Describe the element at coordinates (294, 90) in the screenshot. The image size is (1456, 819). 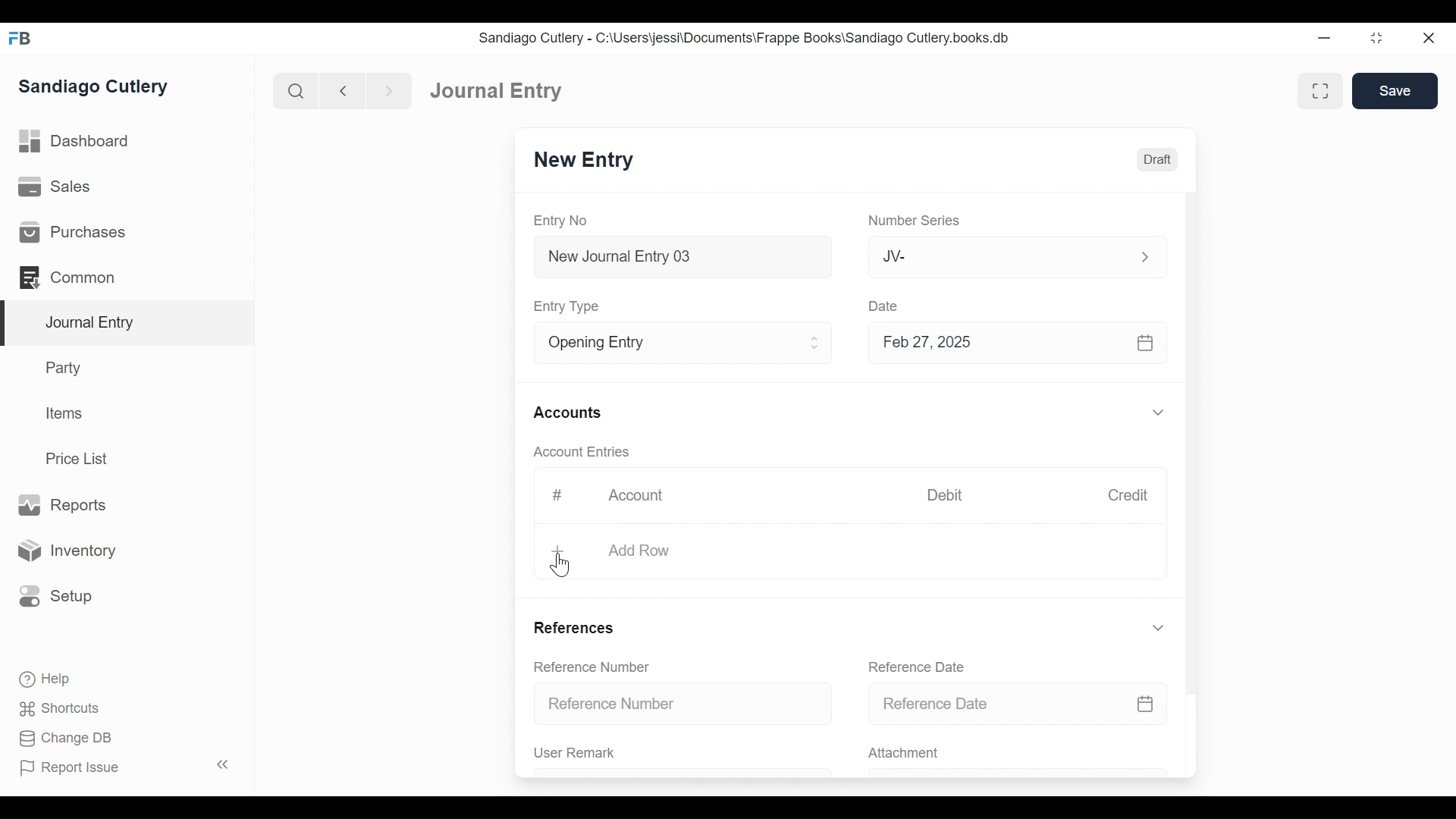
I see `Search` at that location.